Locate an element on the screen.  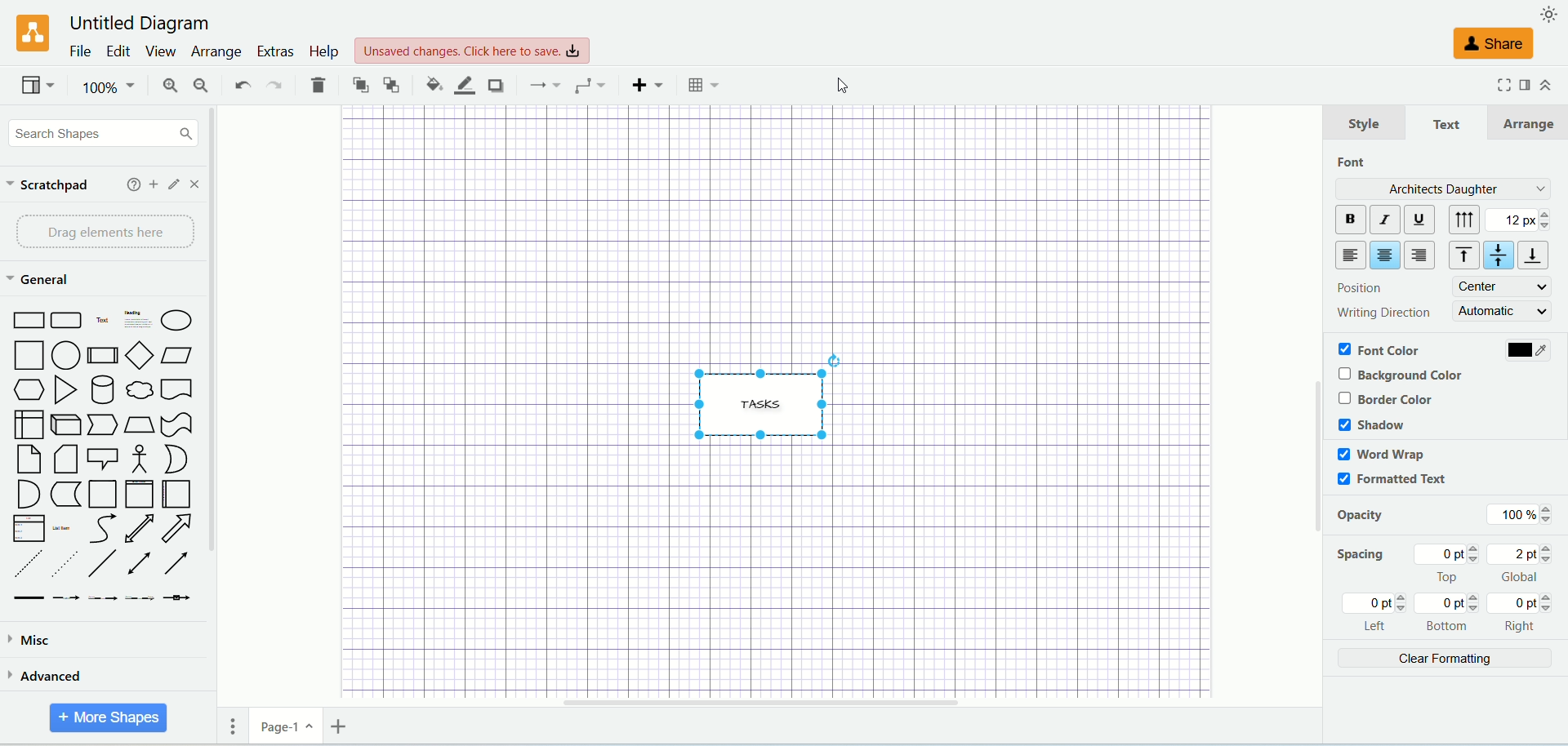
Connector with label is located at coordinates (65, 598).